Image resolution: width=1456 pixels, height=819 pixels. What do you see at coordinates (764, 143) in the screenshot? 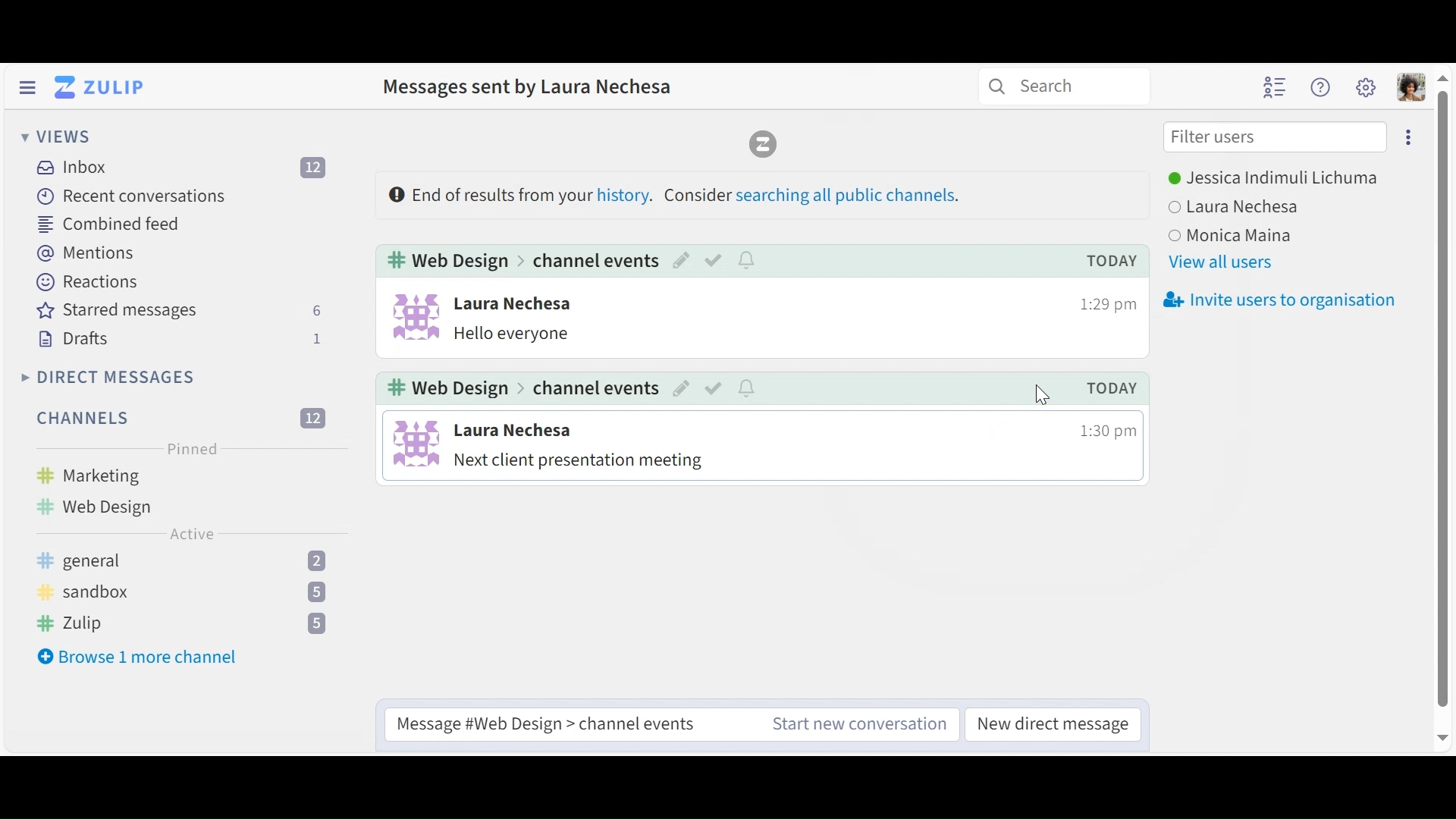
I see `Zulip logo` at bounding box center [764, 143].